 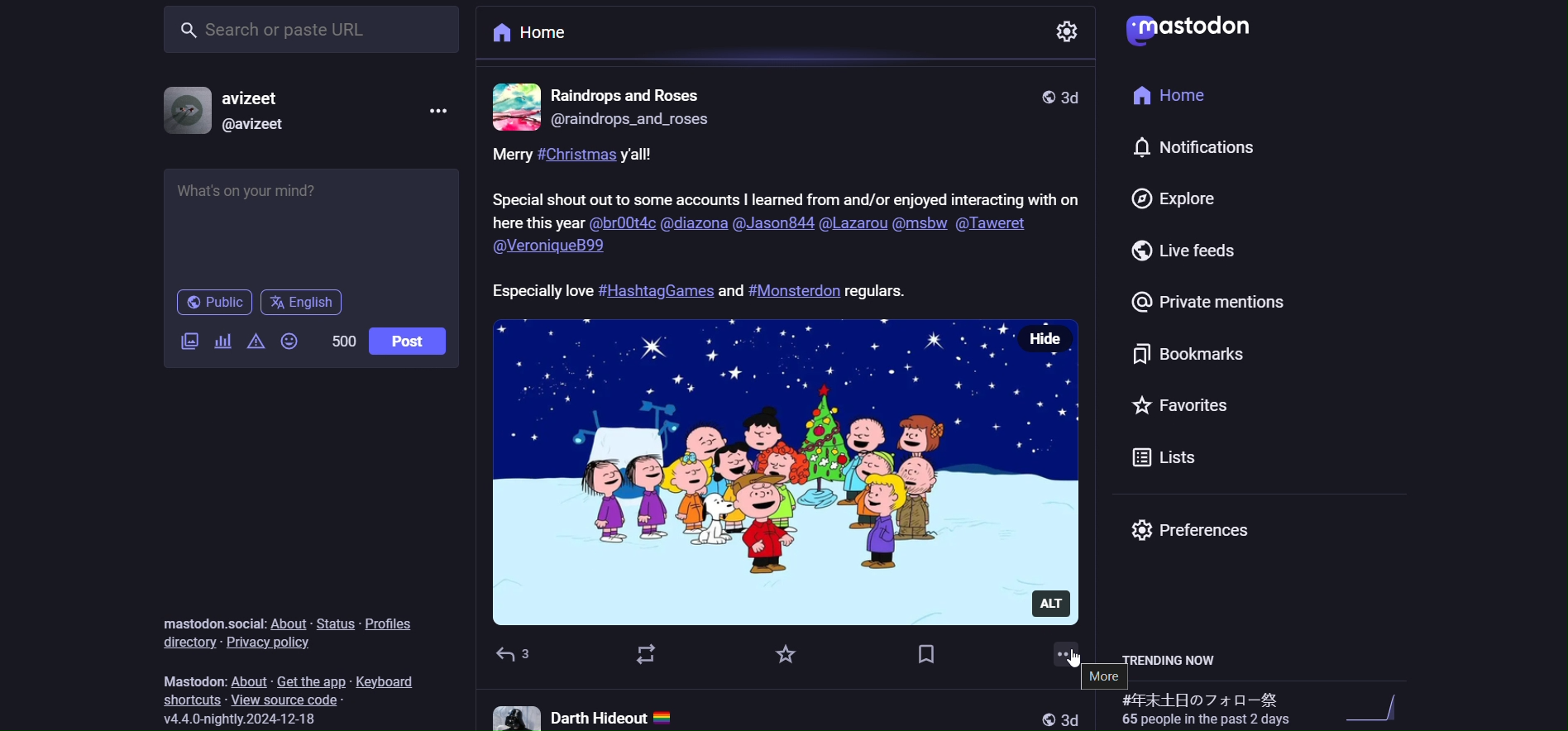 I want to click on private mention, so click(x=1199, y=300).